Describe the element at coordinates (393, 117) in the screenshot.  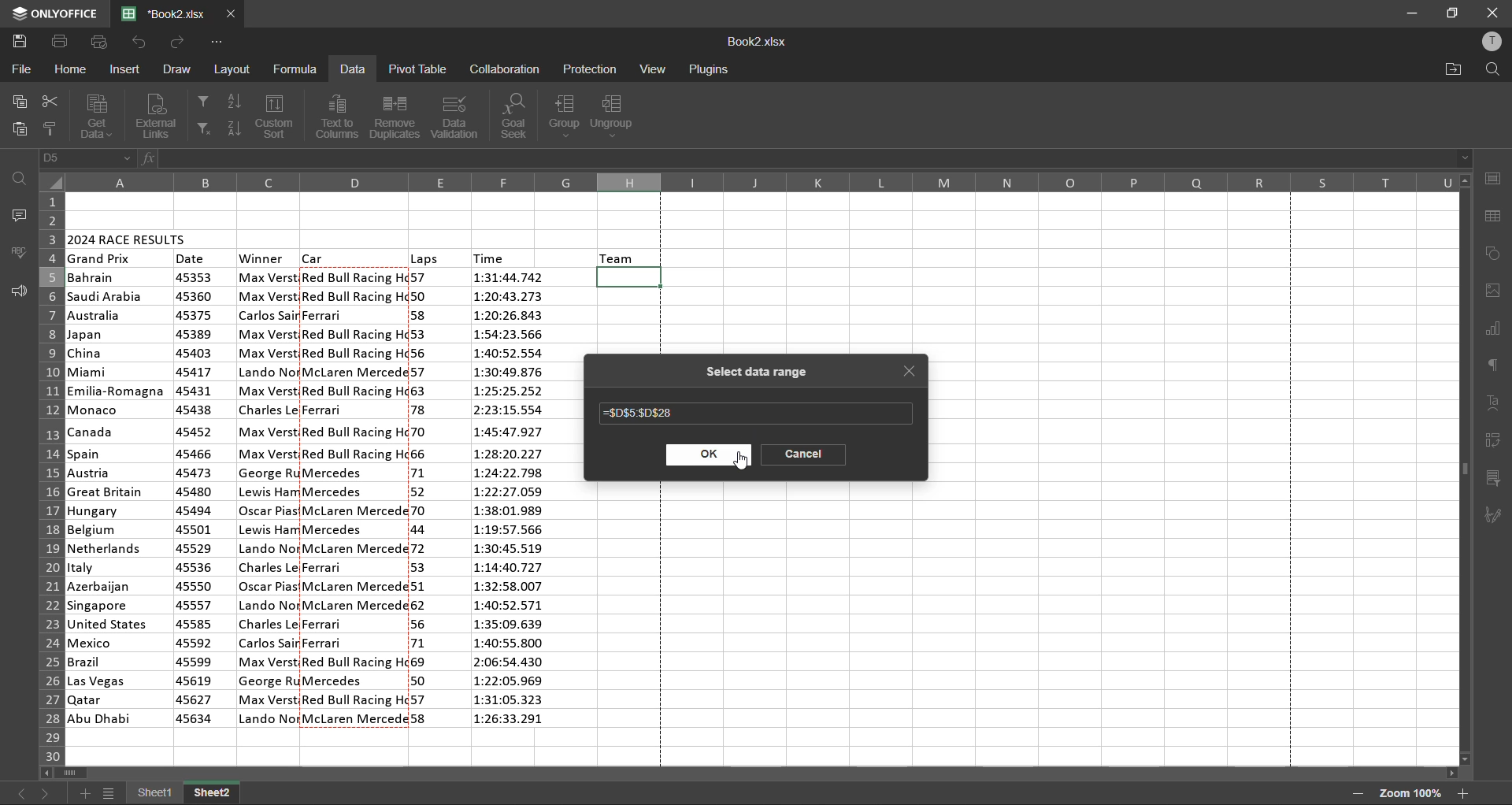
I see `remove duplicates` at that location.